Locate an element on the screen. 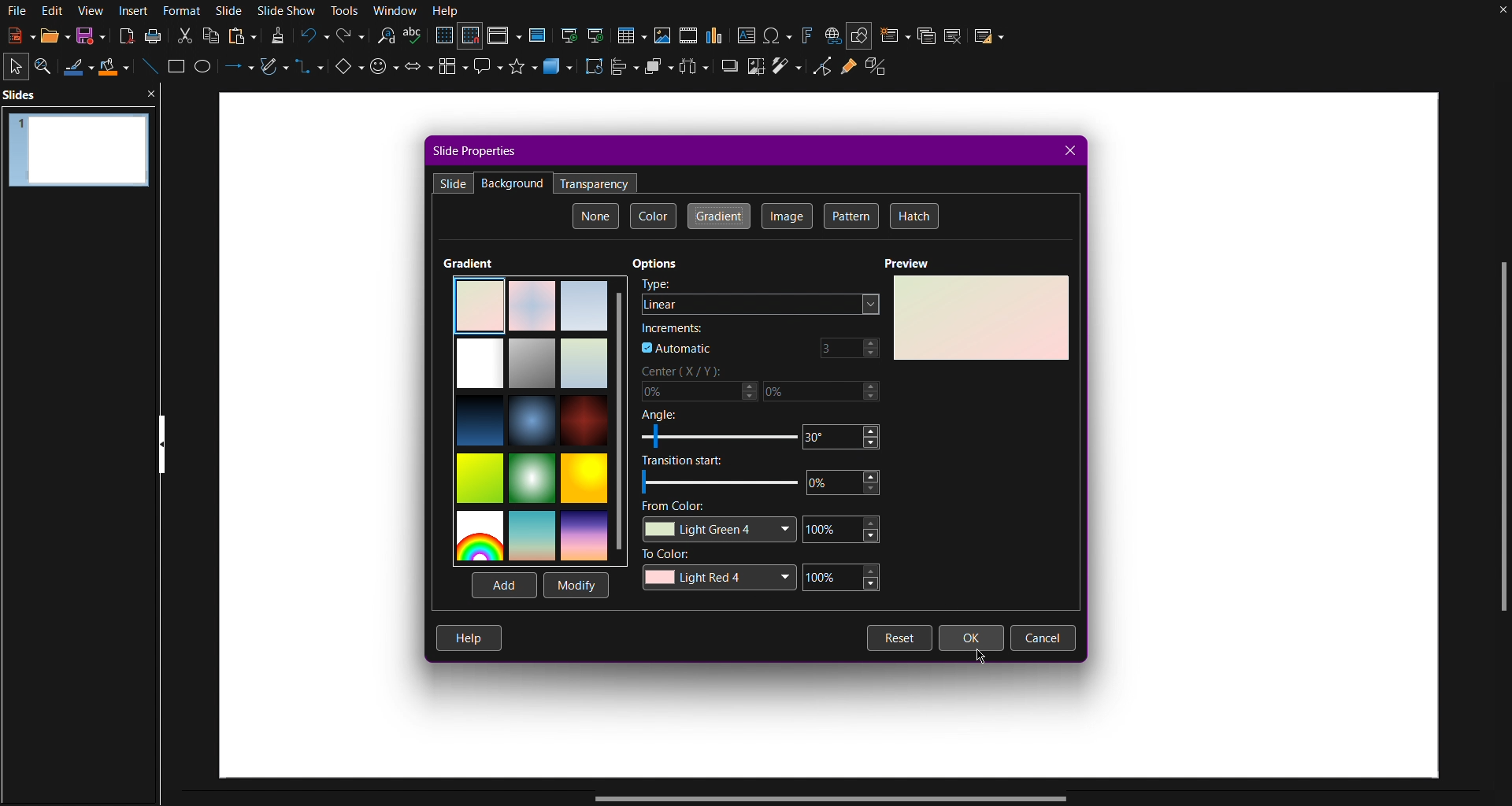 The image size is (1512, 806). Circle is located at coordinates (206, 70).